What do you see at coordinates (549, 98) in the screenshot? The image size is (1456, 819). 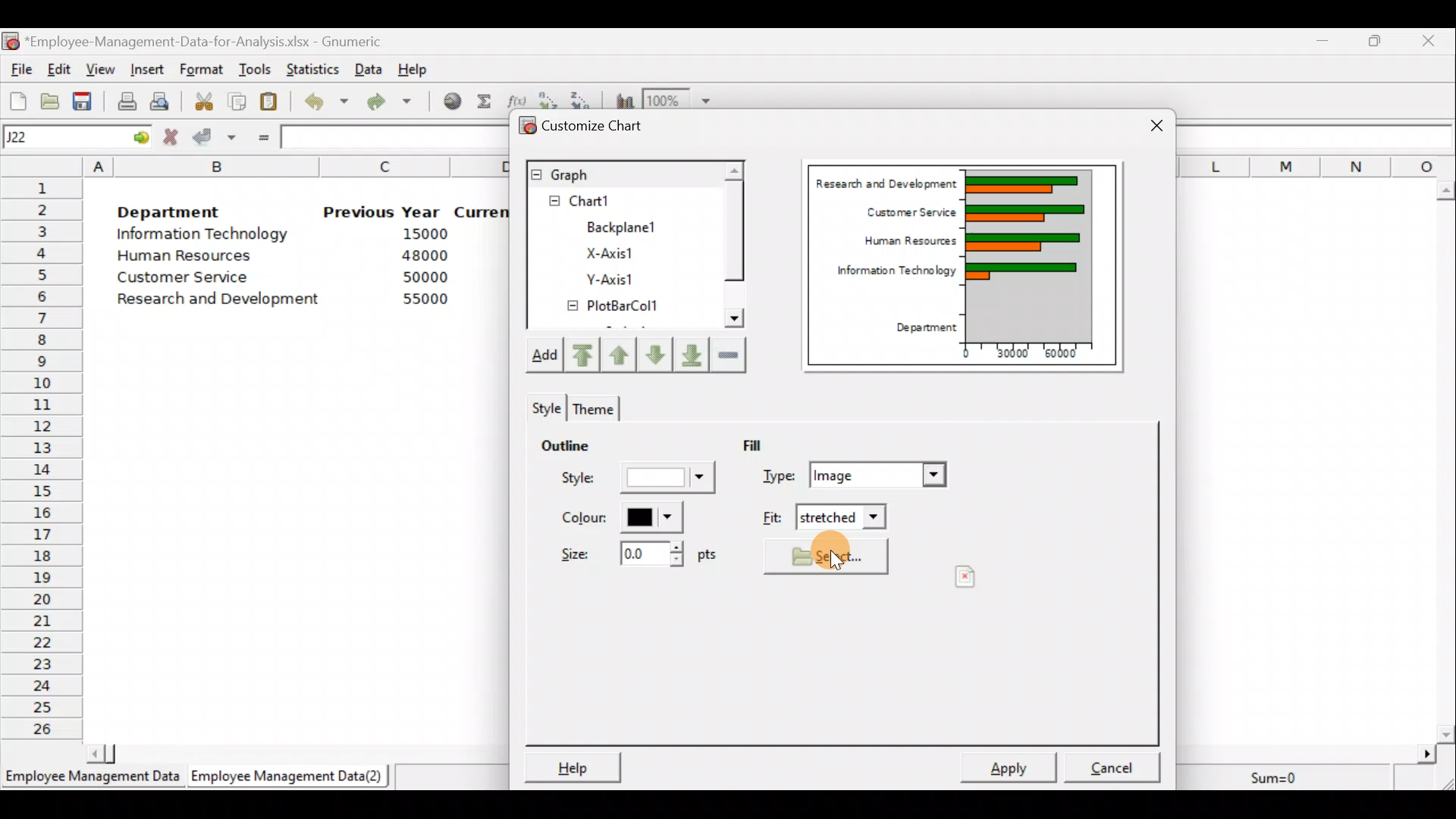 I see `Sort in Ascending order` at bounding box center [549, 98].